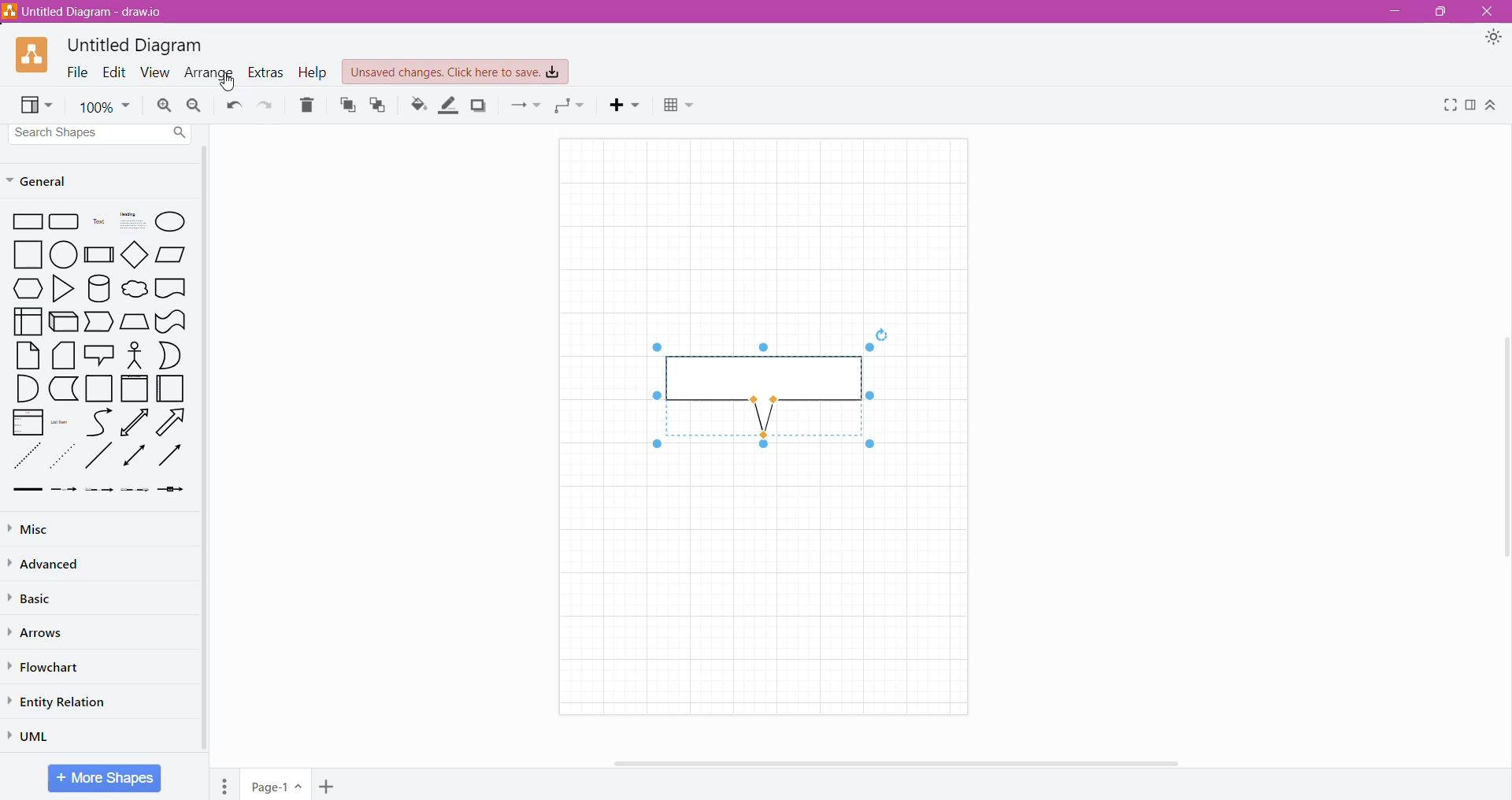  Describe the element at coordinates (65, 456) in the screenshot. I see `Dotted Arrow ` at that location.